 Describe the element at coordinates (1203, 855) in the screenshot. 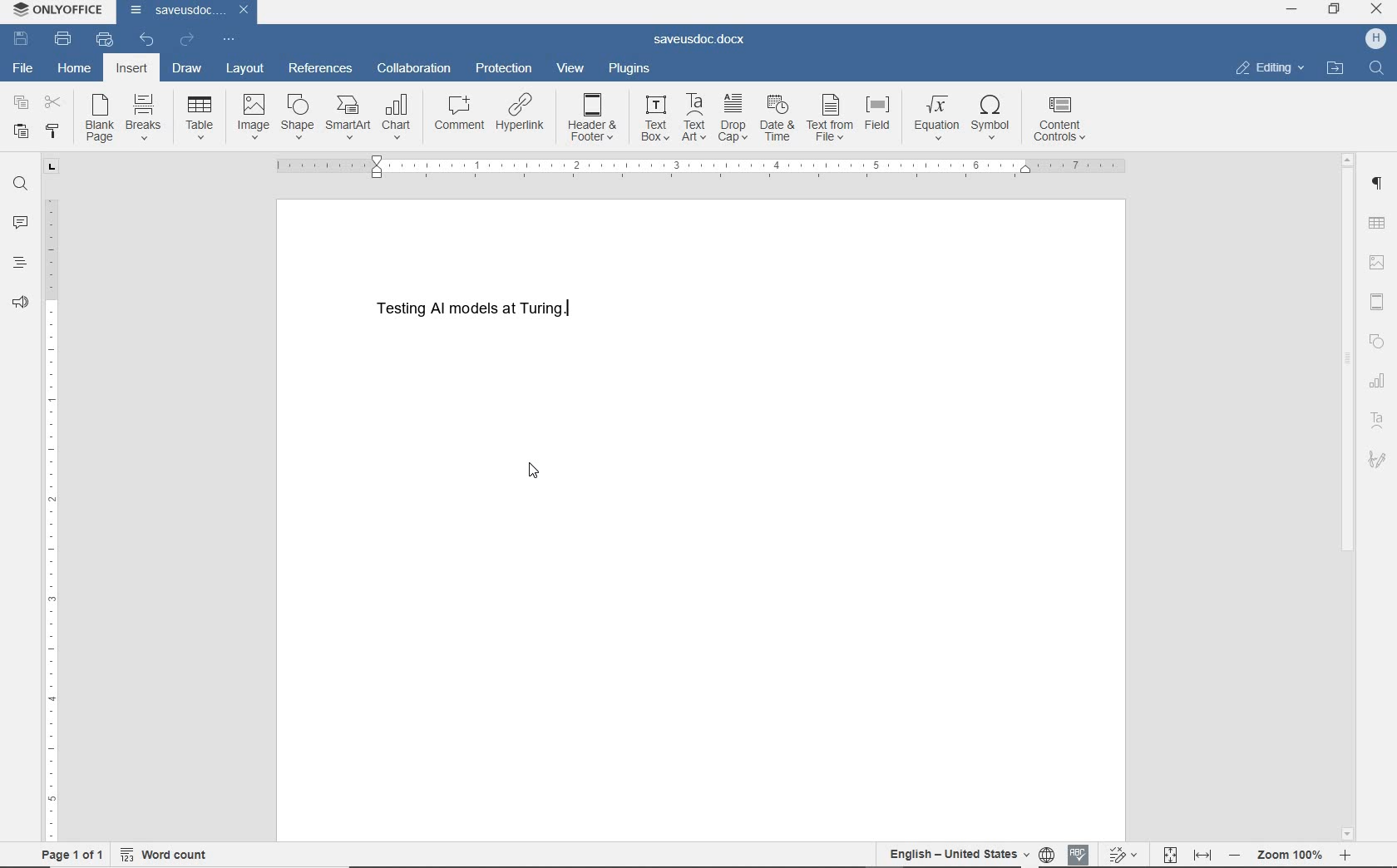

I see `Fit to width` at that location.